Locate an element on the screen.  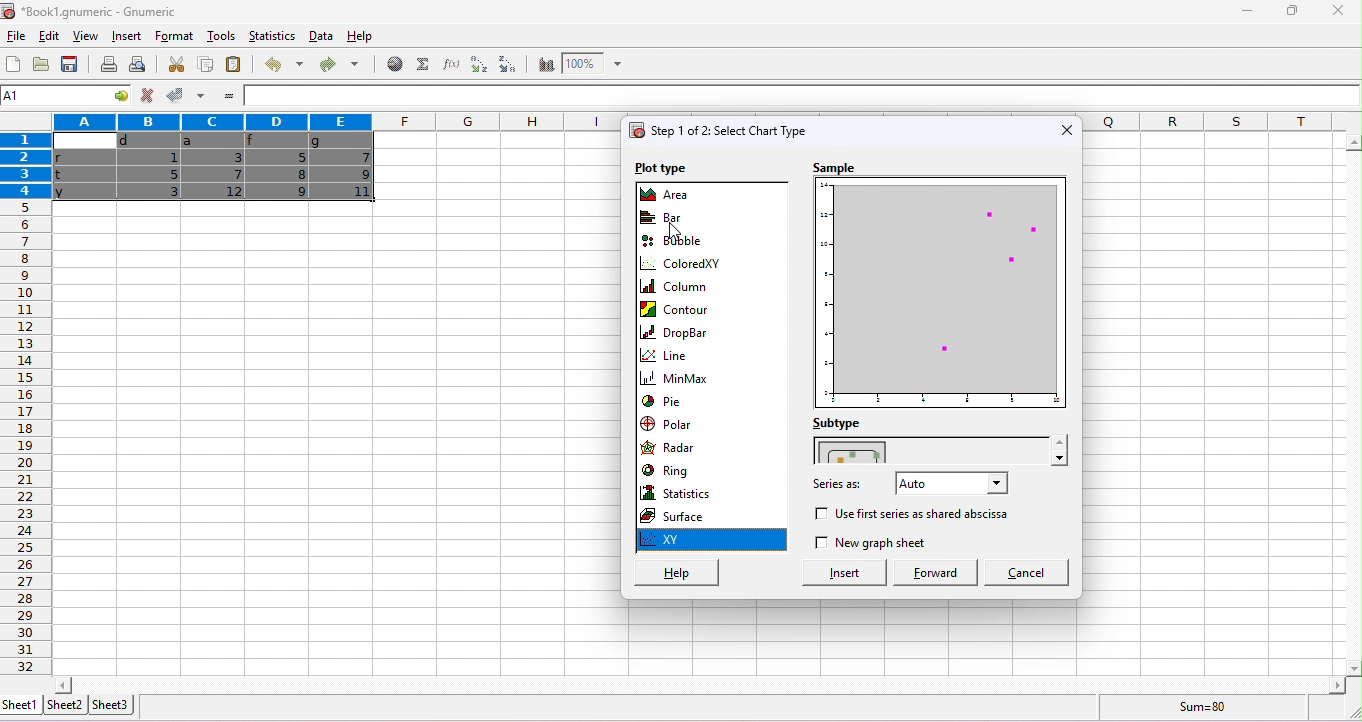
close is located at coordinates (1339, 13).